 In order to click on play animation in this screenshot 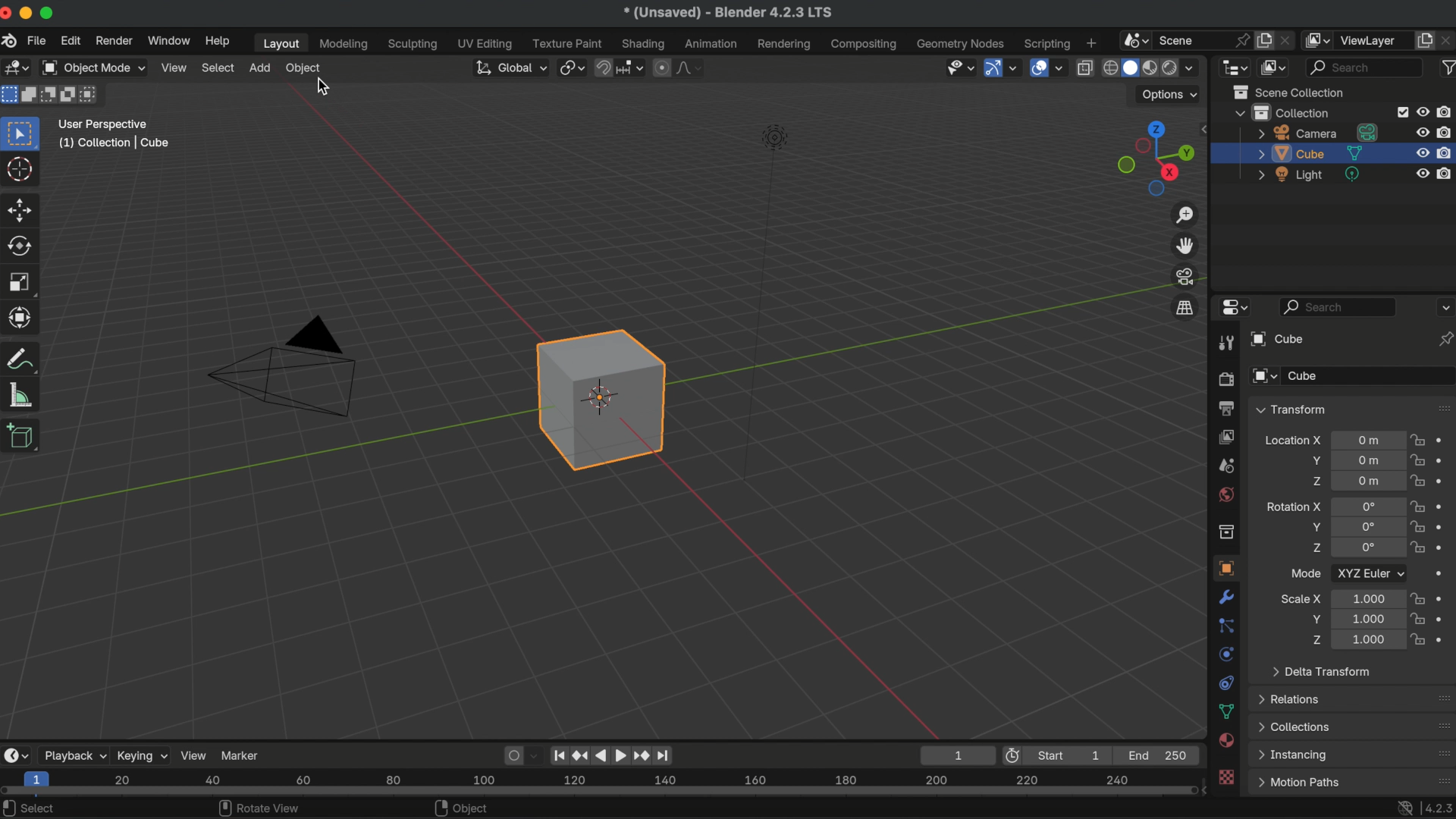, I will do `click(610, 755)`.